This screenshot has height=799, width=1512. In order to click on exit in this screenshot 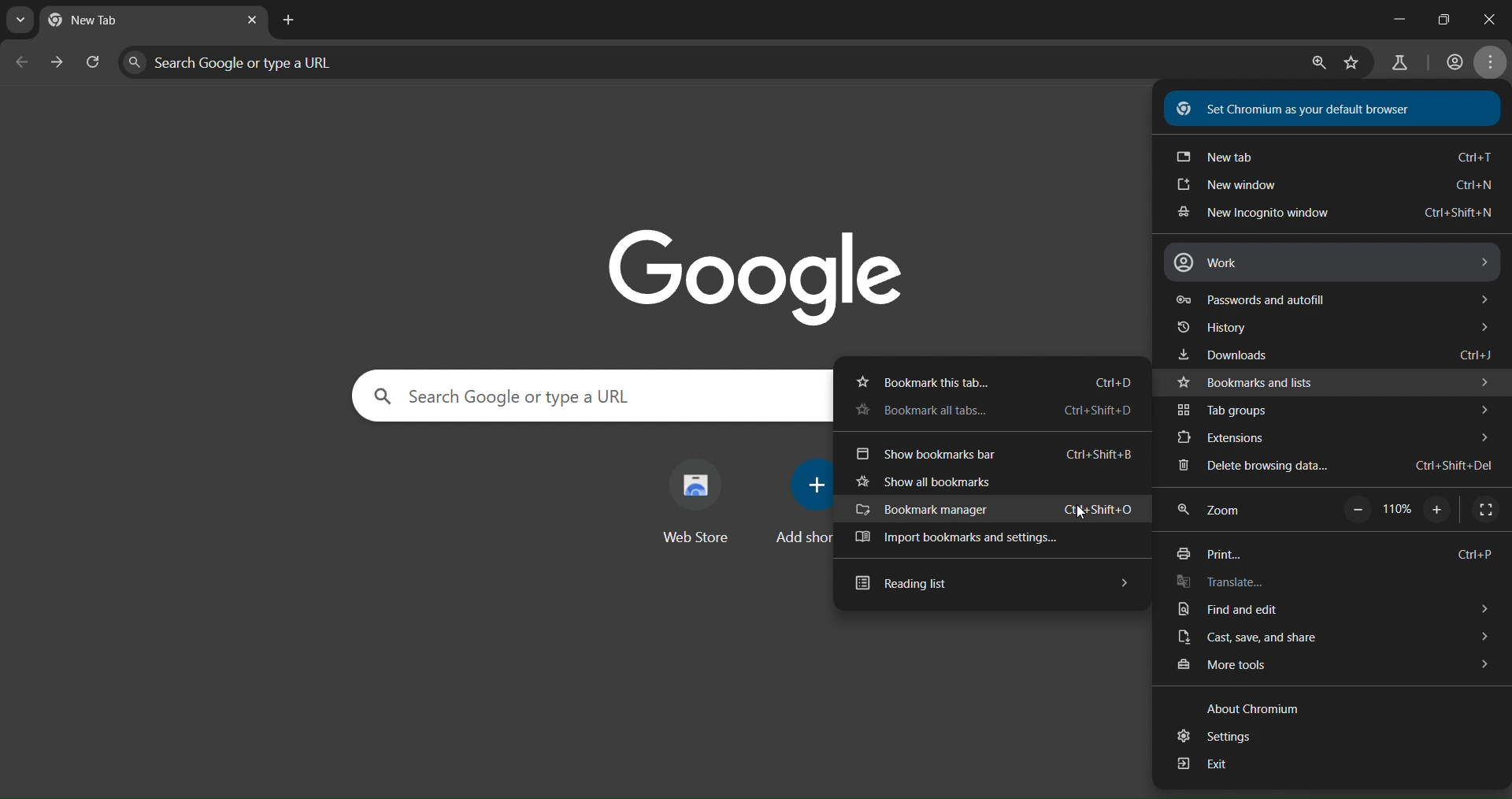, I will do `click(1209, 764)`.